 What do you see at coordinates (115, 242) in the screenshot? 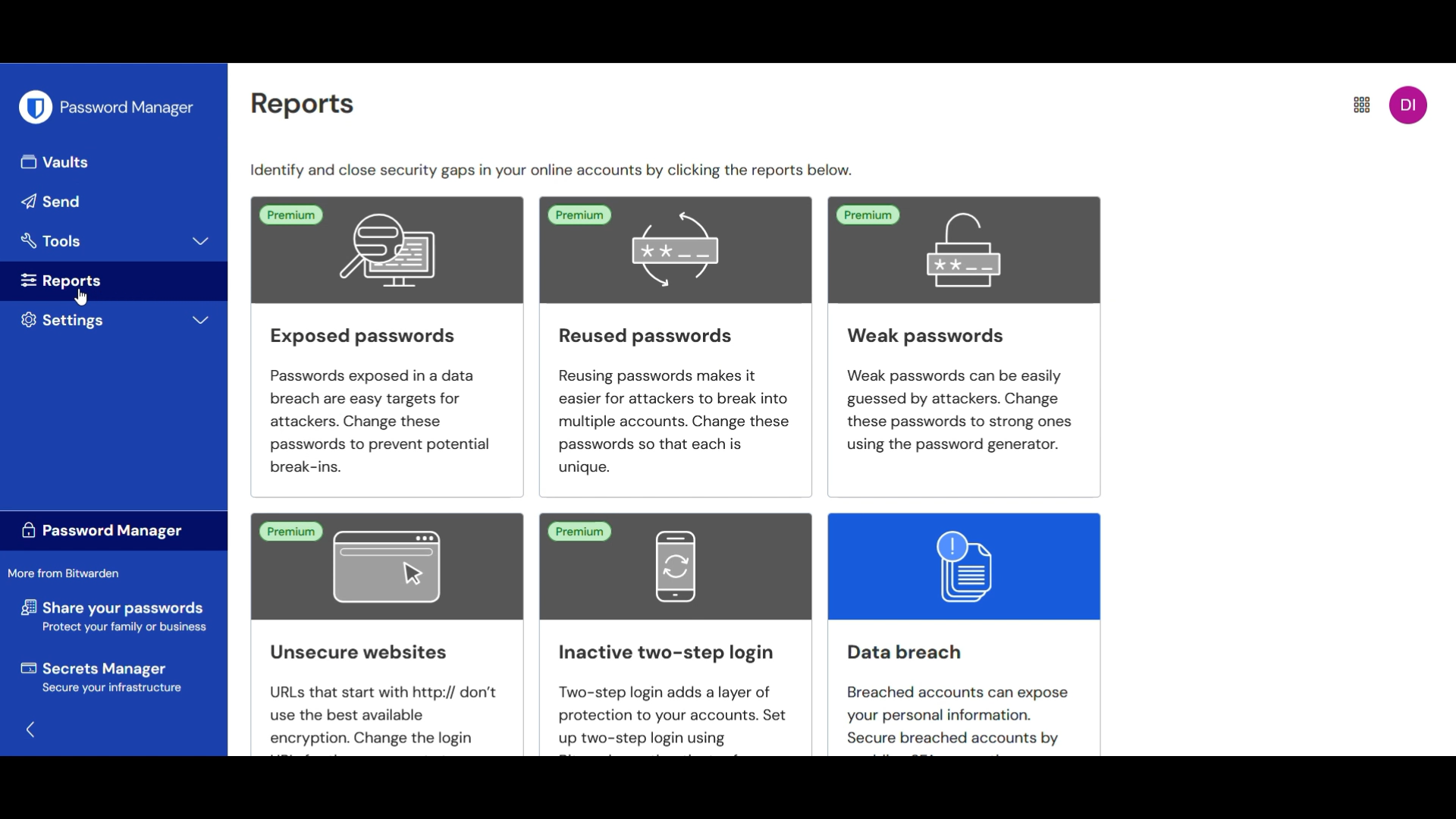
I see `Tools` at bounding box center [115, 242].